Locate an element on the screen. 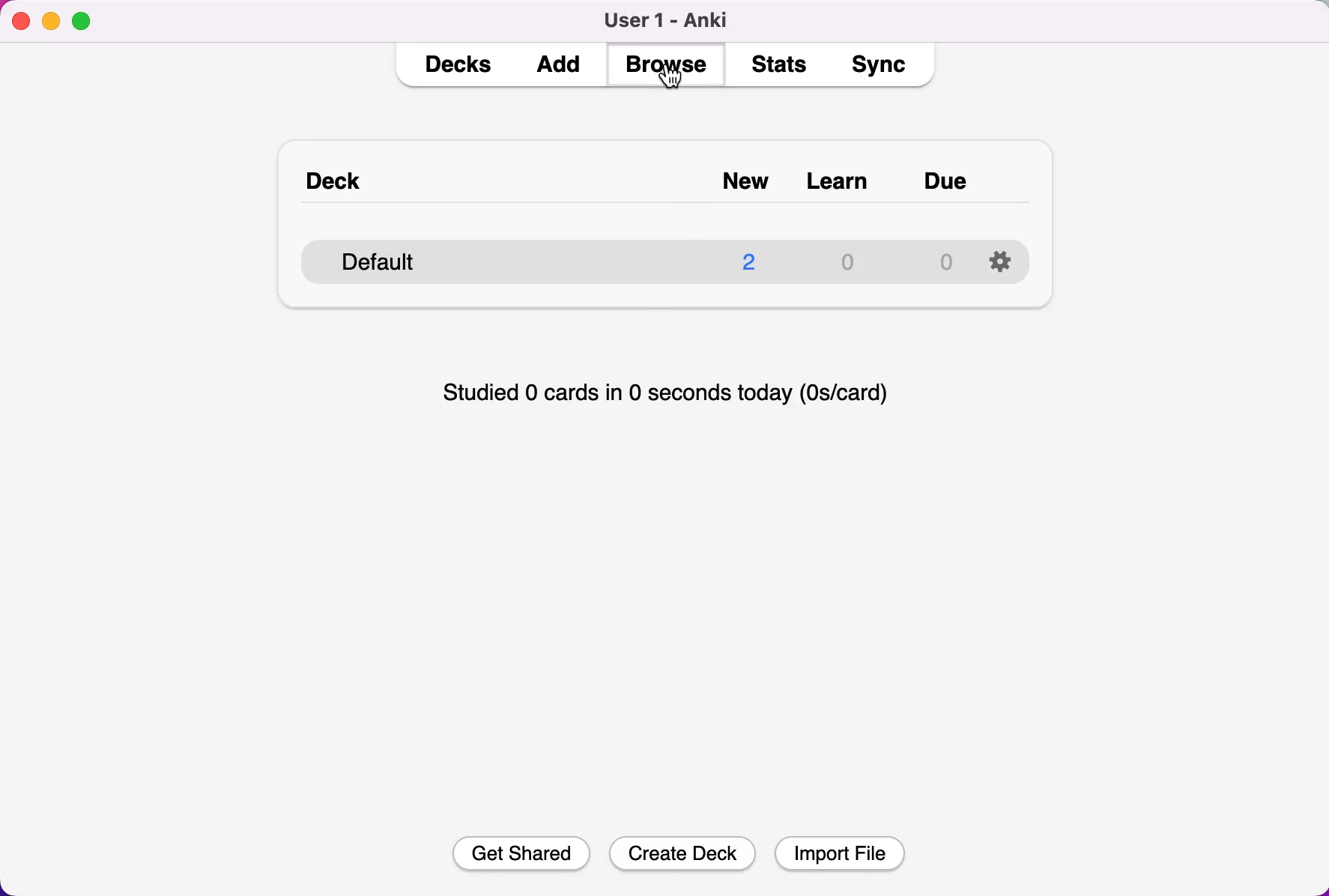  configuration is located at coordinates (1003, 263).